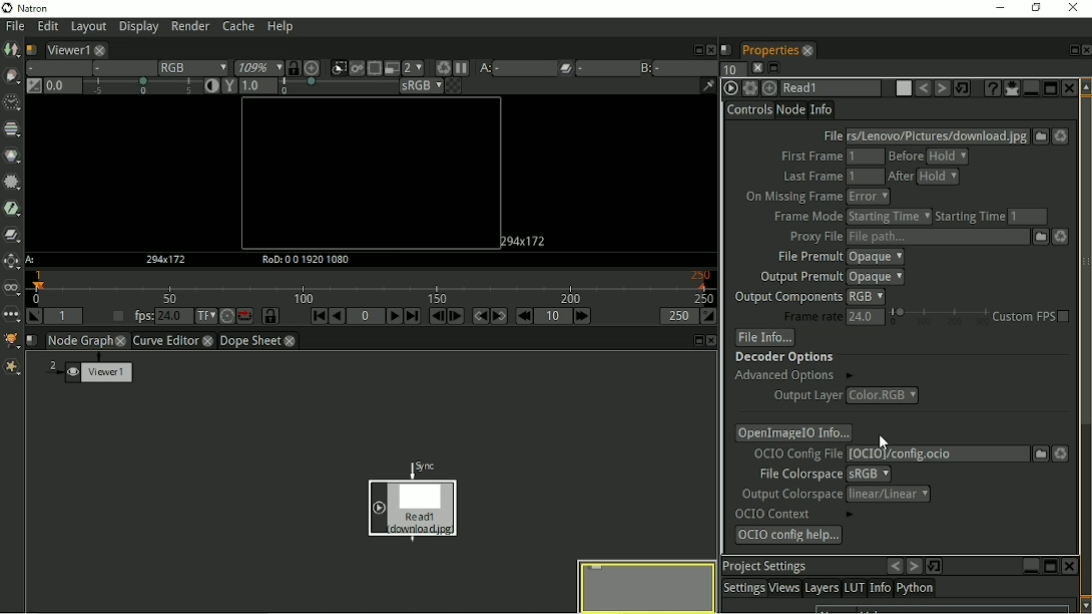 This screenshot has height=614, width=1092. I want to click on Scale image, so click(310, 67).